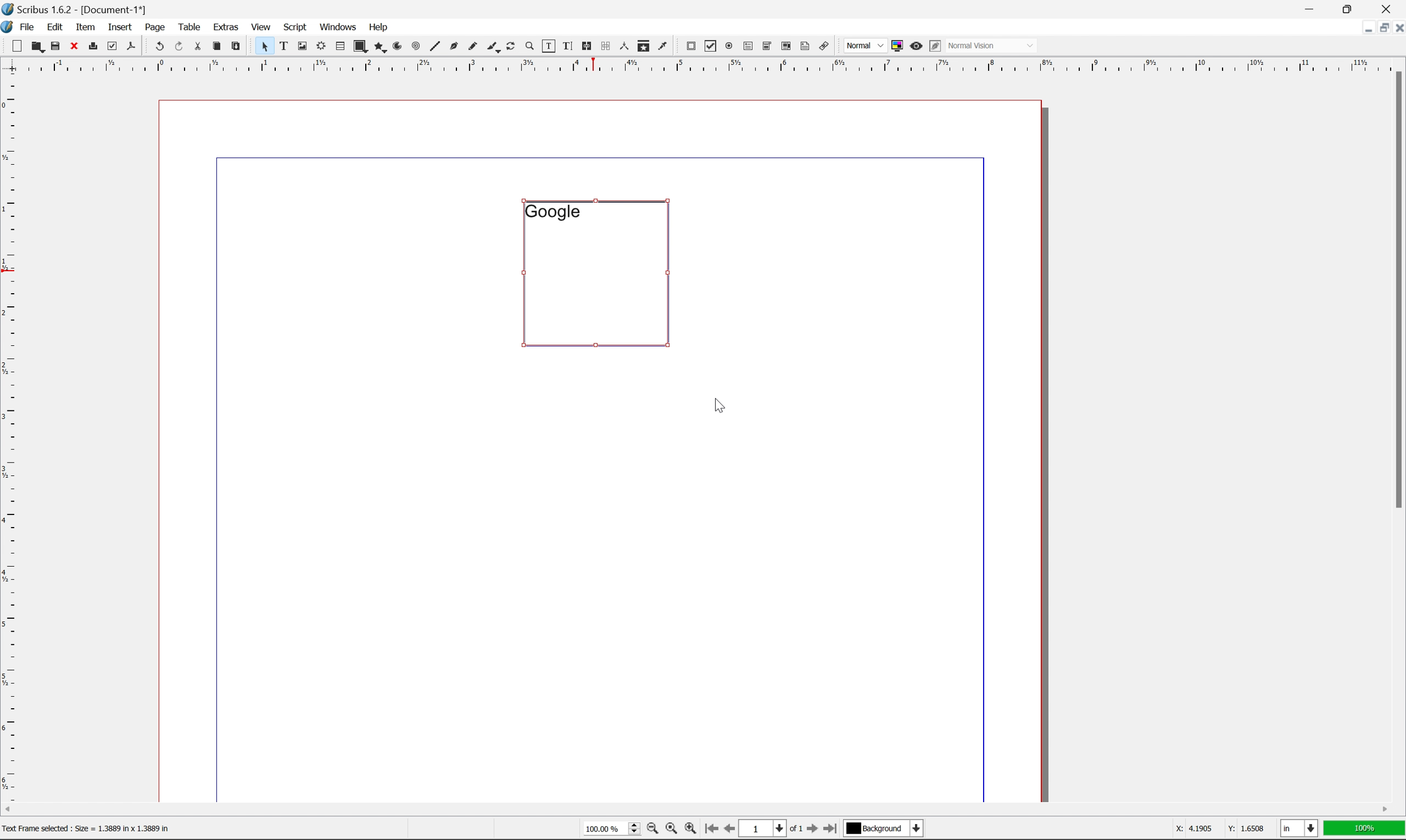  Describe the element at coordinates (36, 47) in the screenshot. I see `open` at that location.